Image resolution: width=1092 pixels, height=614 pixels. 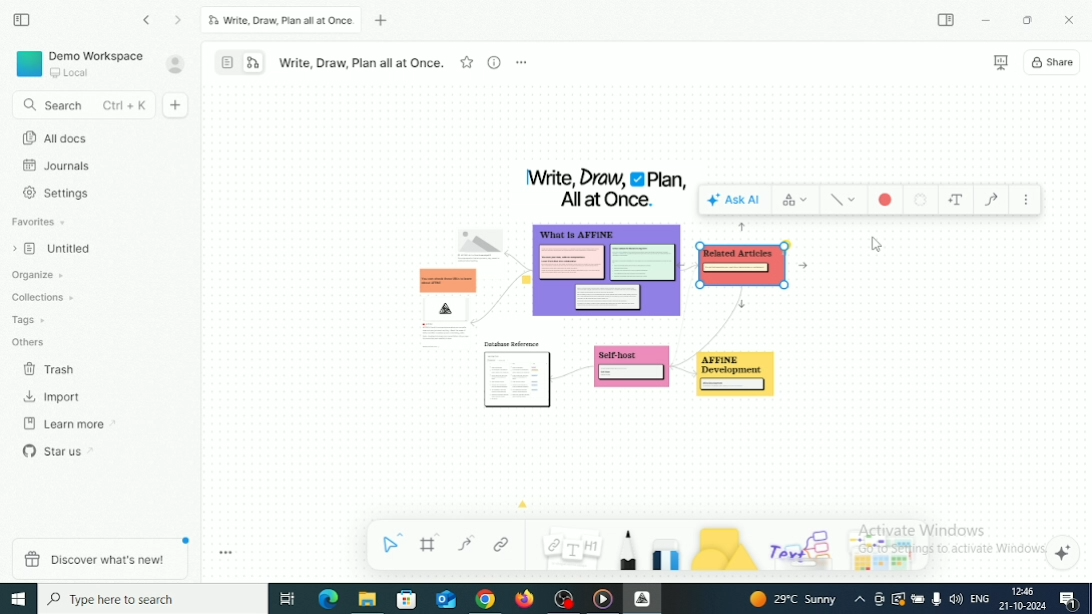 I want to click on New doc, so click(x=177, y=105).